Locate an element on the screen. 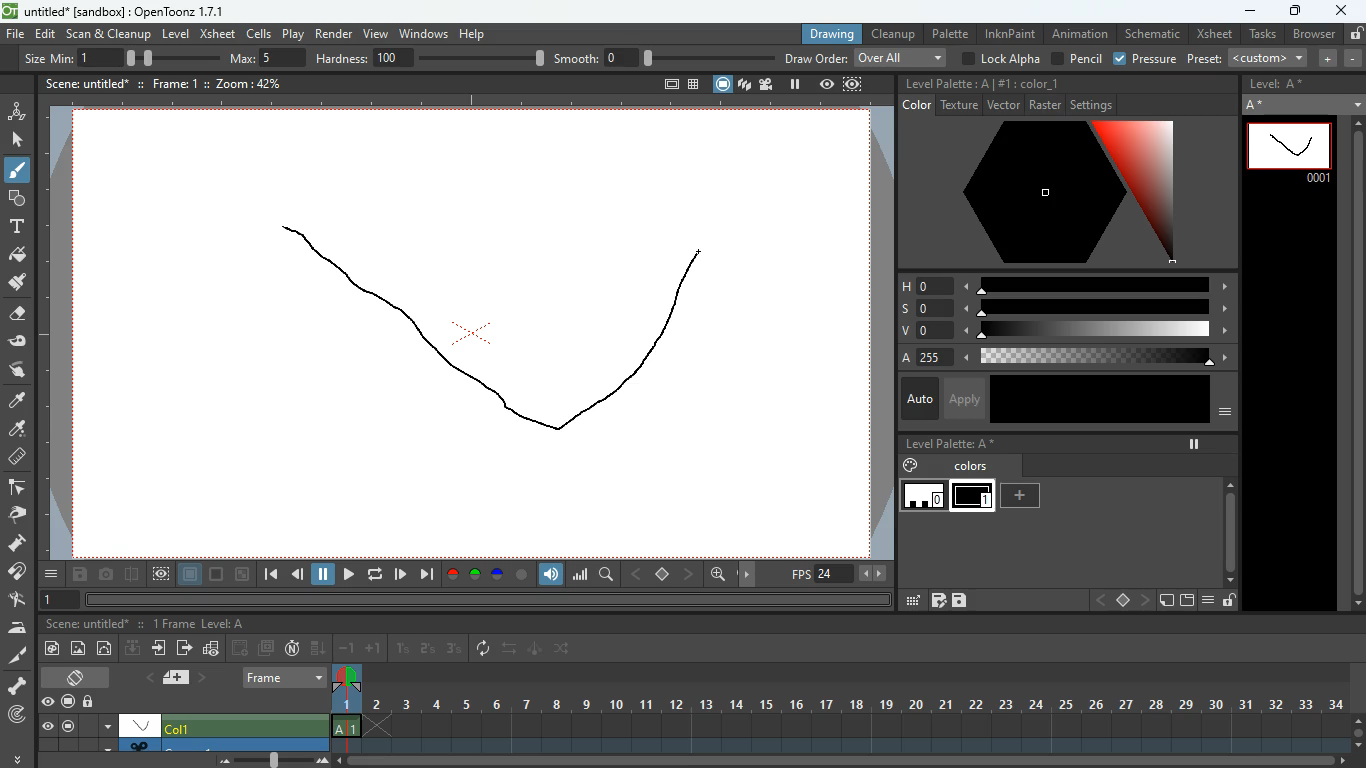 This screenshot has width=1366, height=768. +1 is located at coordinates (374, 649).